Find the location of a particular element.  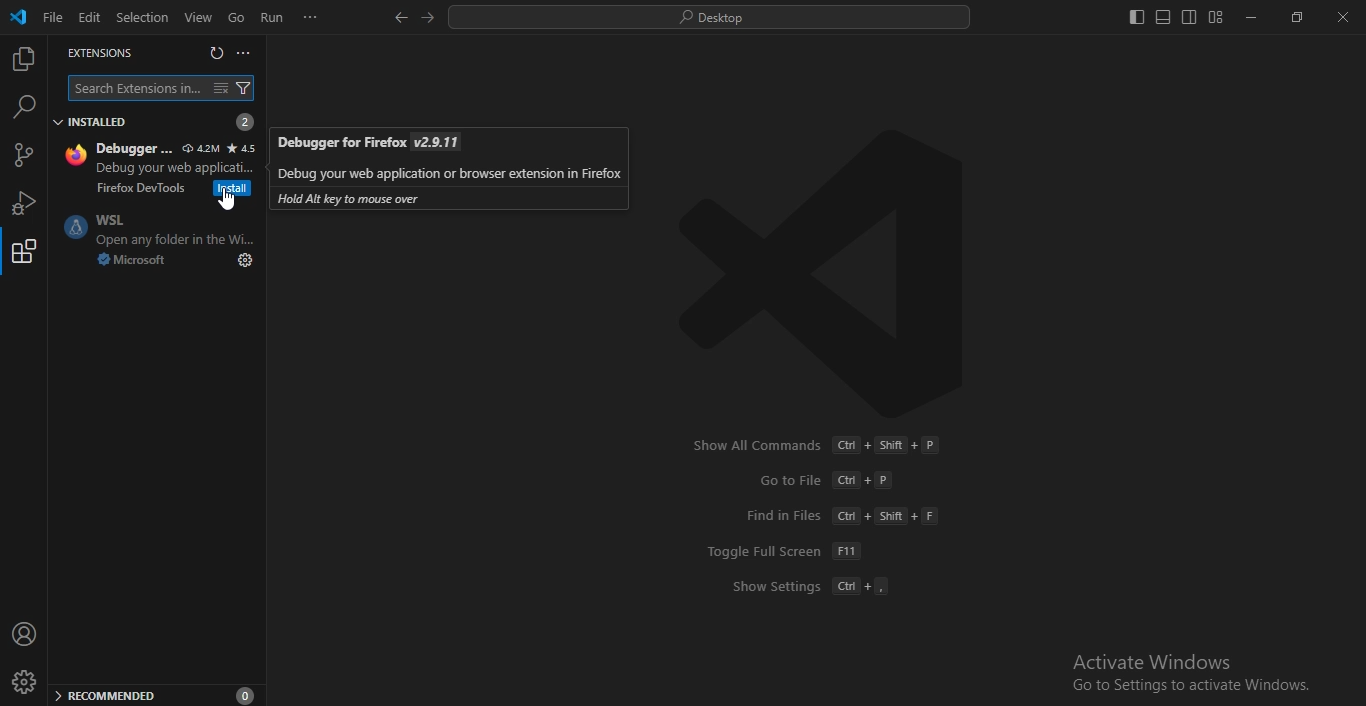

source control is located at coordinates (24, 156).